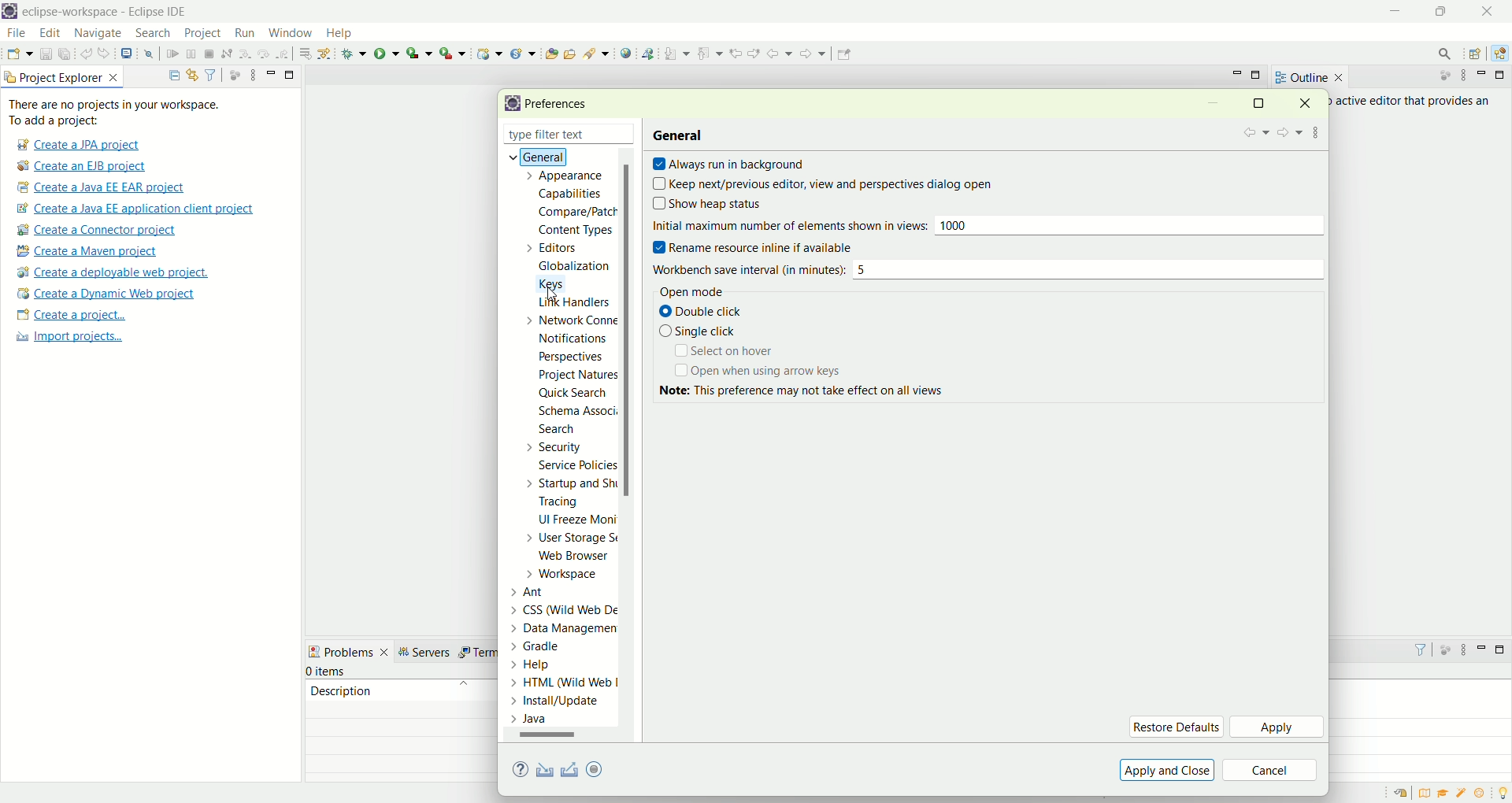  Describe the element at coordinates (98, 34) in the screenshot. I see `navigate` at that location.